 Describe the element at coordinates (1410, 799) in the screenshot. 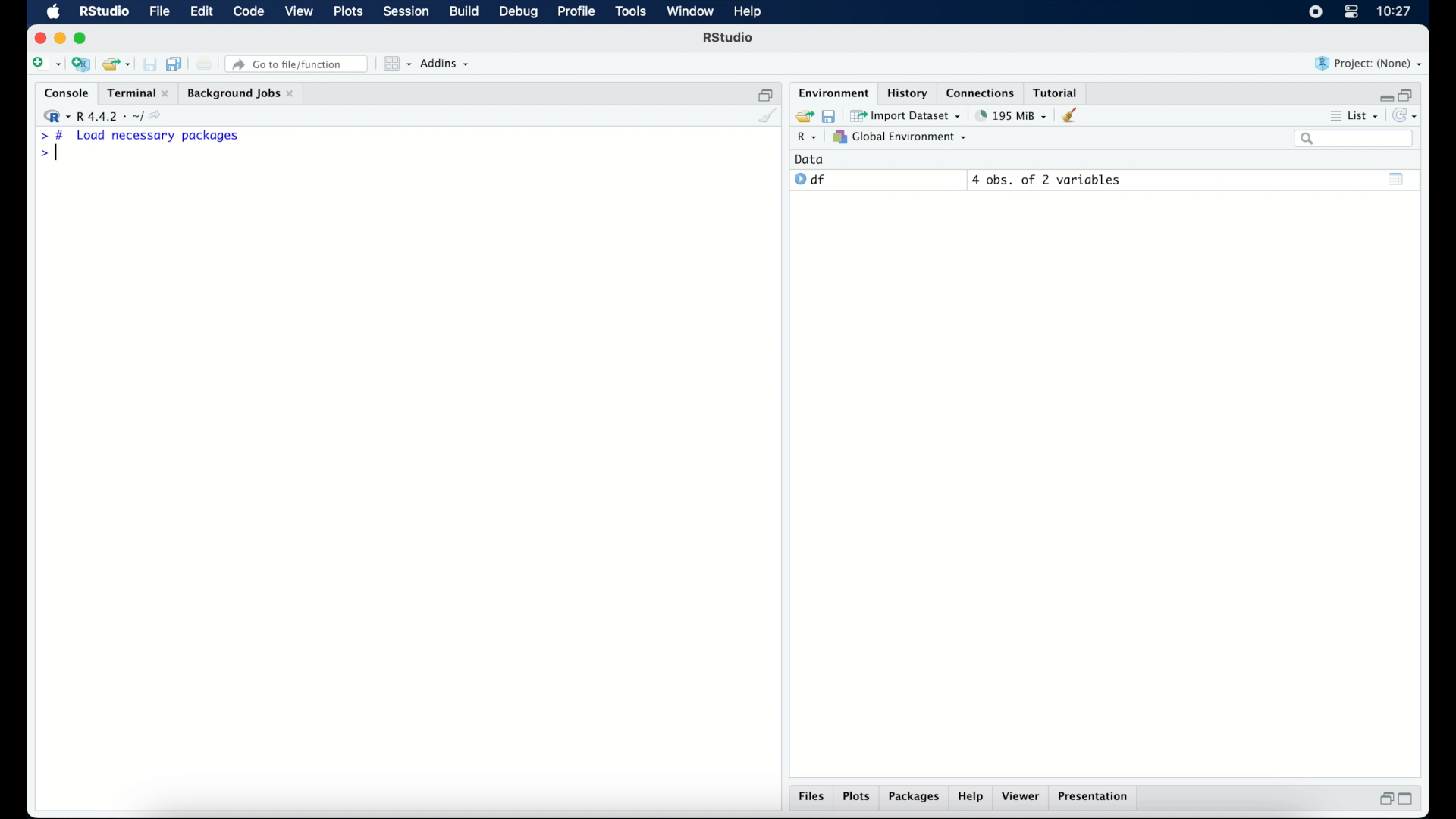

I see `maximize` at that location.